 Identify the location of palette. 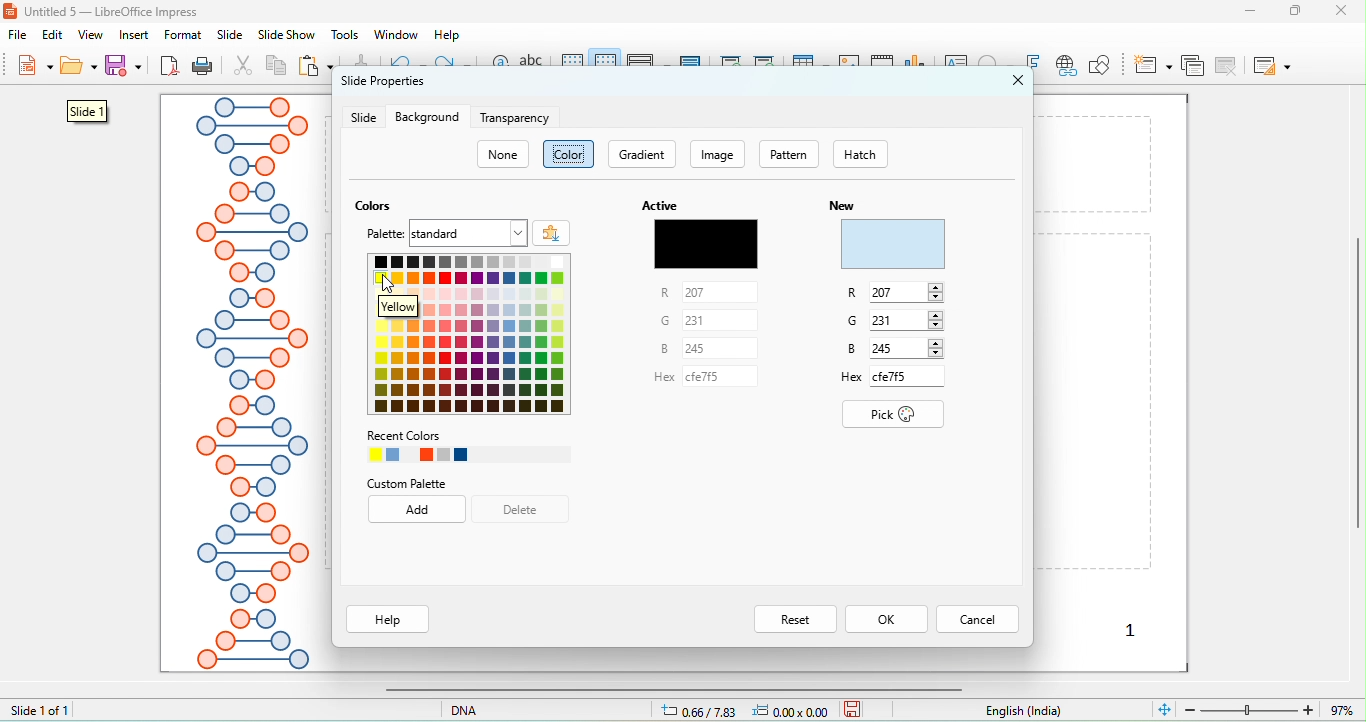
(387, 235).